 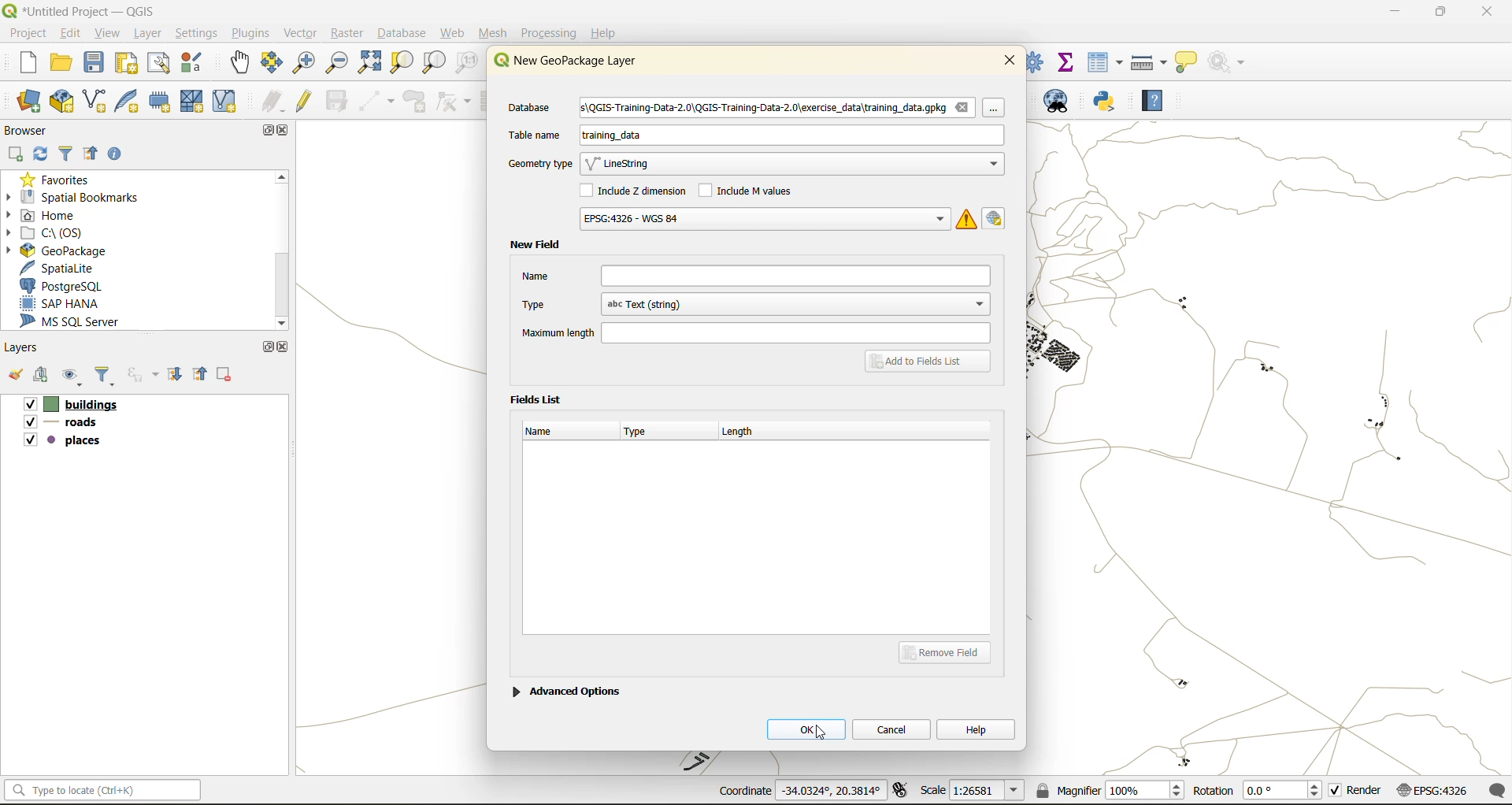 I want to click on coordinates, so click(x=799, y=792).